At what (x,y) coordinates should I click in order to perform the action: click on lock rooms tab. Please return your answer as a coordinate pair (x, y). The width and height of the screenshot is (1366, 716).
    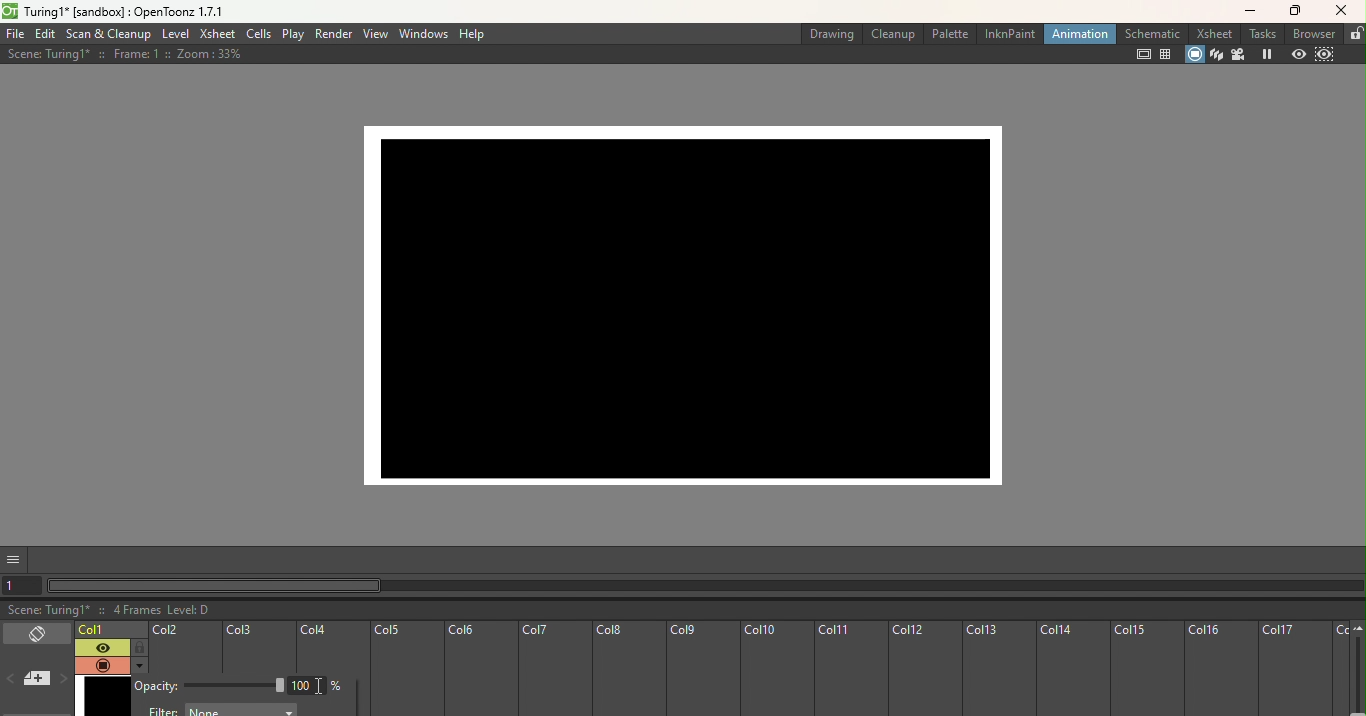
    Looking at the image, I should click on (1354, 32).